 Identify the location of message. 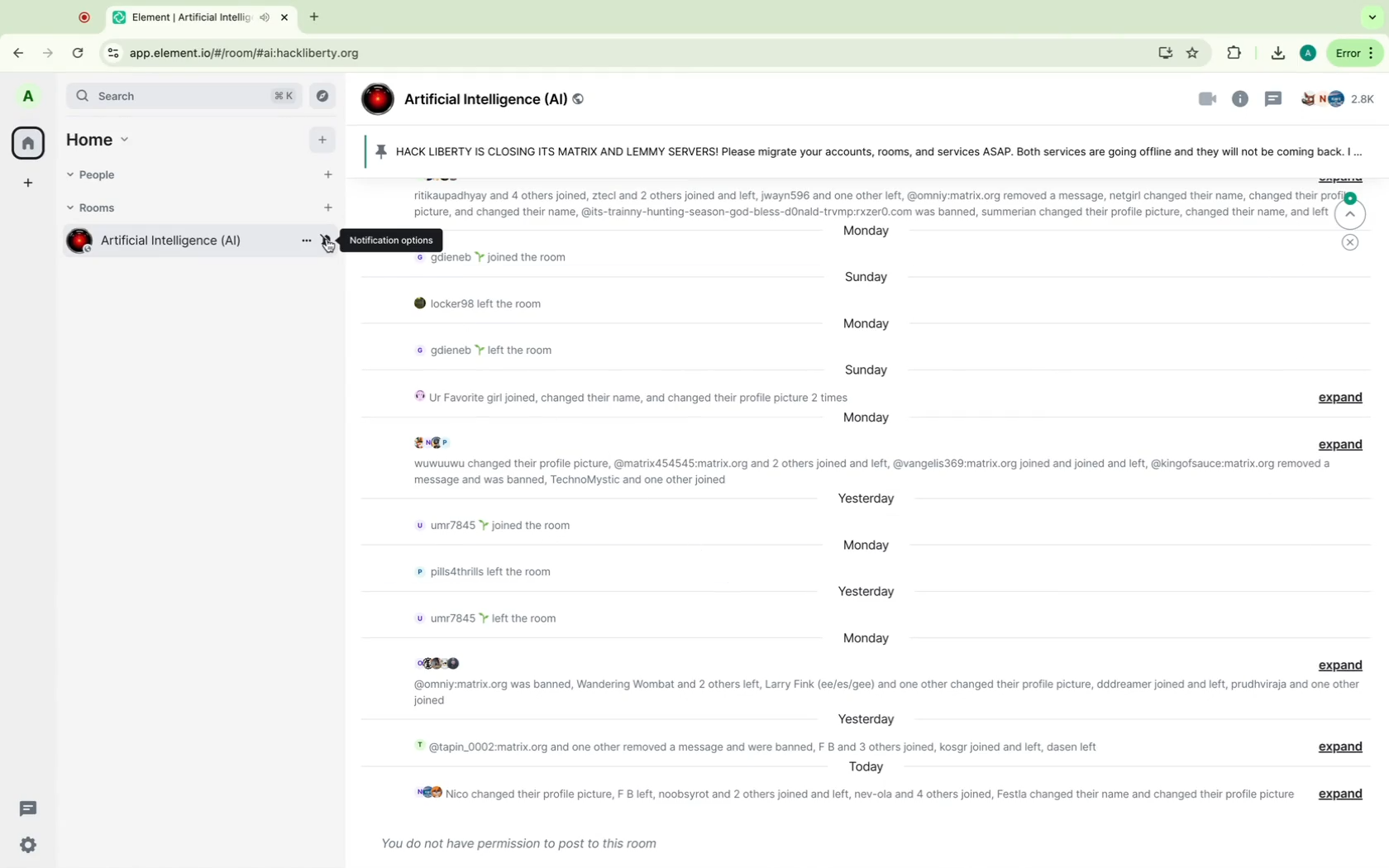
(513, 527).